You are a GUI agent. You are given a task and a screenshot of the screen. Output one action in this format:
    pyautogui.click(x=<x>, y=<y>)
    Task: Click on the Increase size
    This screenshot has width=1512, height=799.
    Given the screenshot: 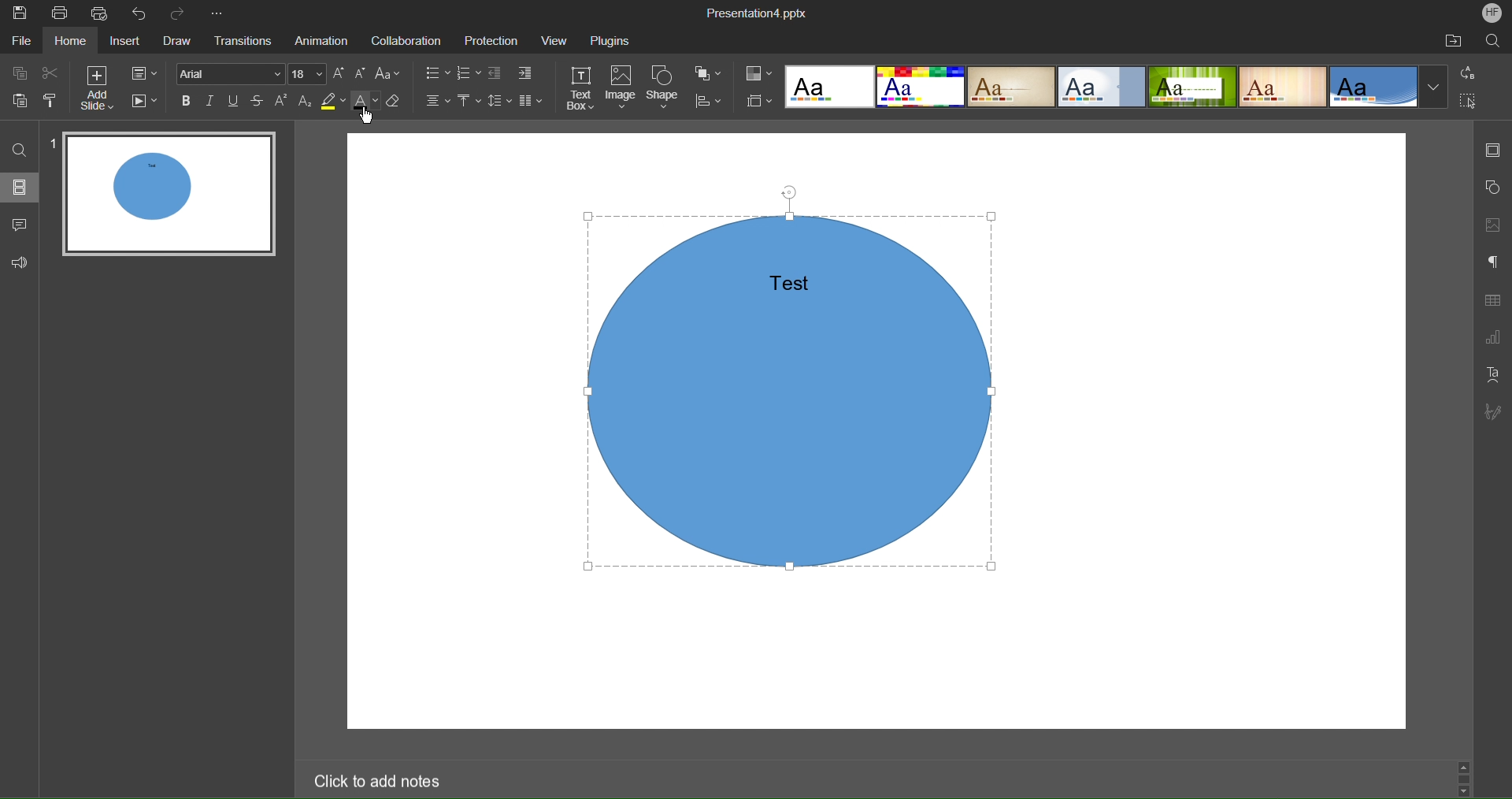 What is the action you would take?
    pyautogui.click(x=338, y=73)
    